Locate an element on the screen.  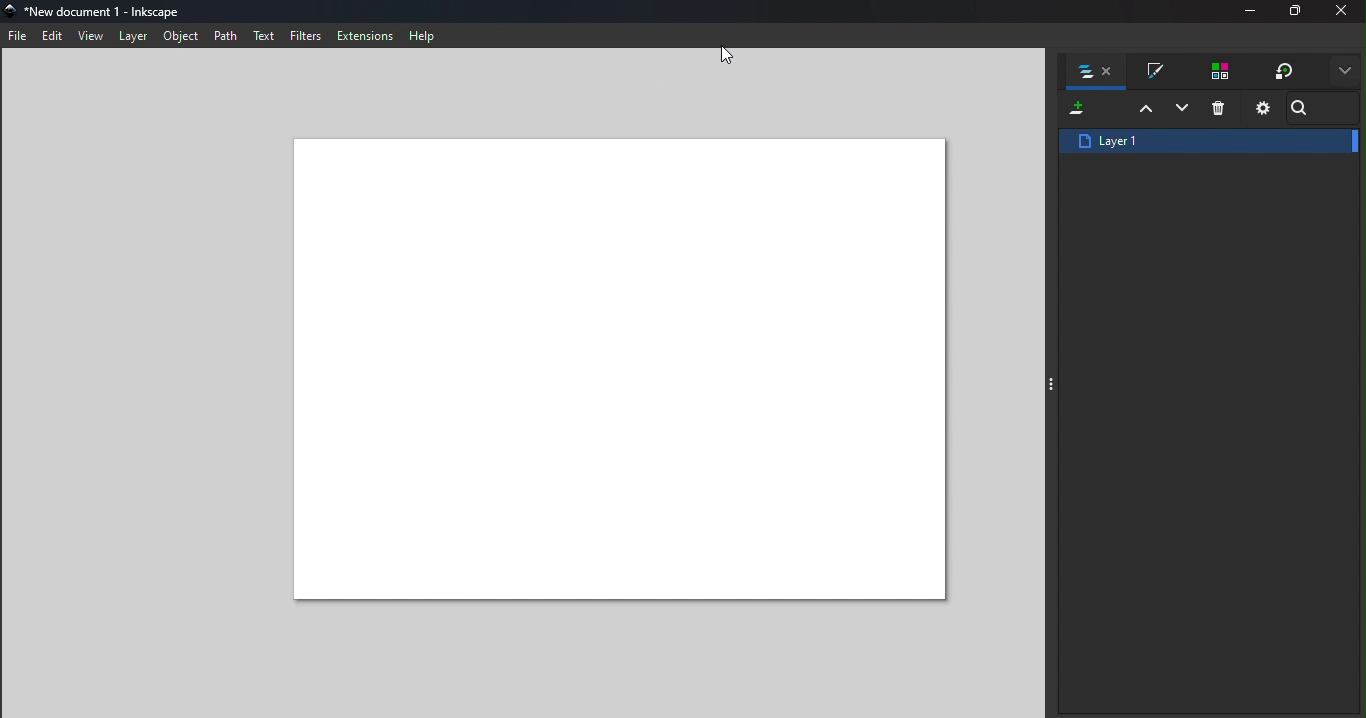
Deleted selected items is located at coordinates (1215, 109).